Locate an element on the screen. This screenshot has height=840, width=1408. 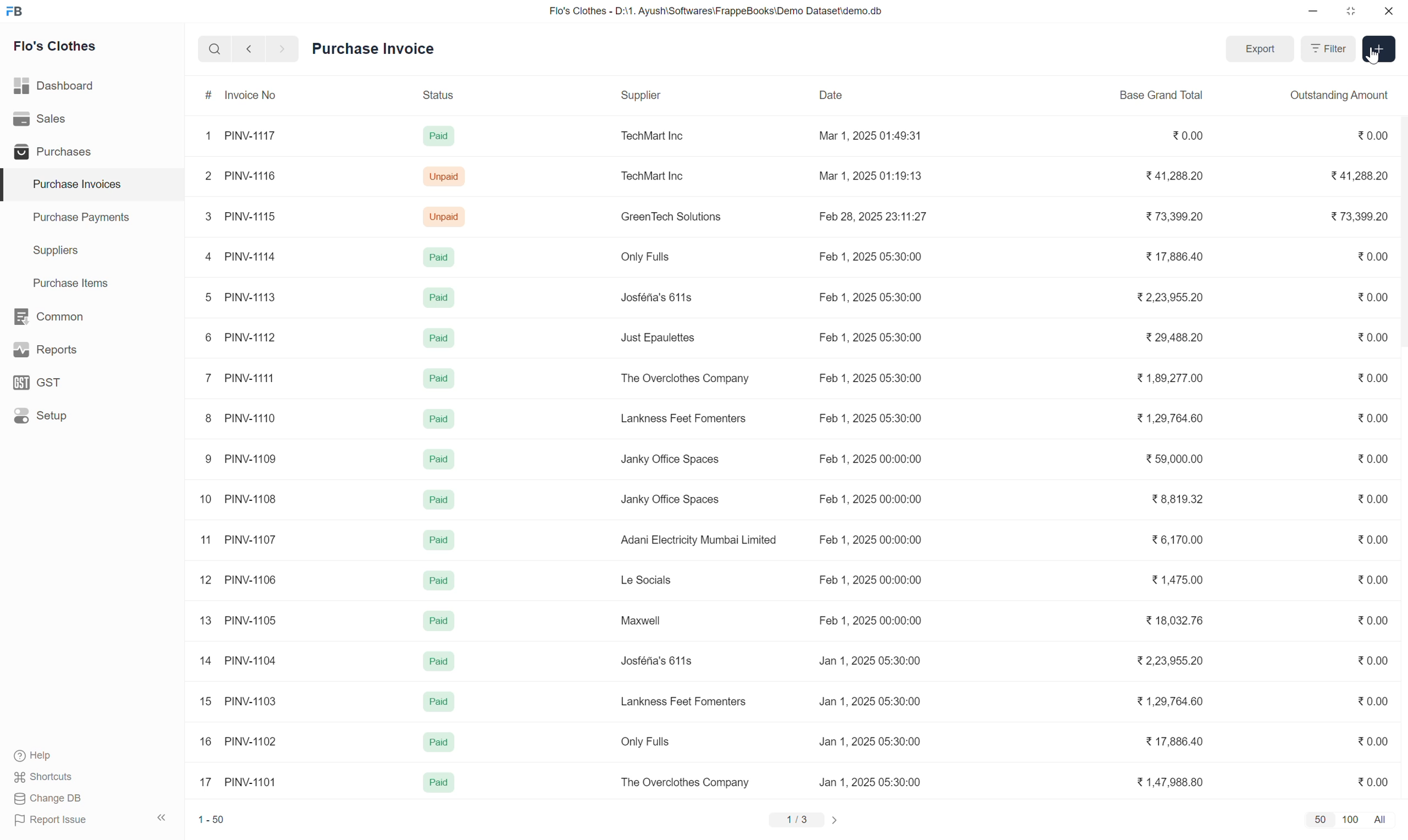
Base Grand Total is located at coordinates (1161, 96).